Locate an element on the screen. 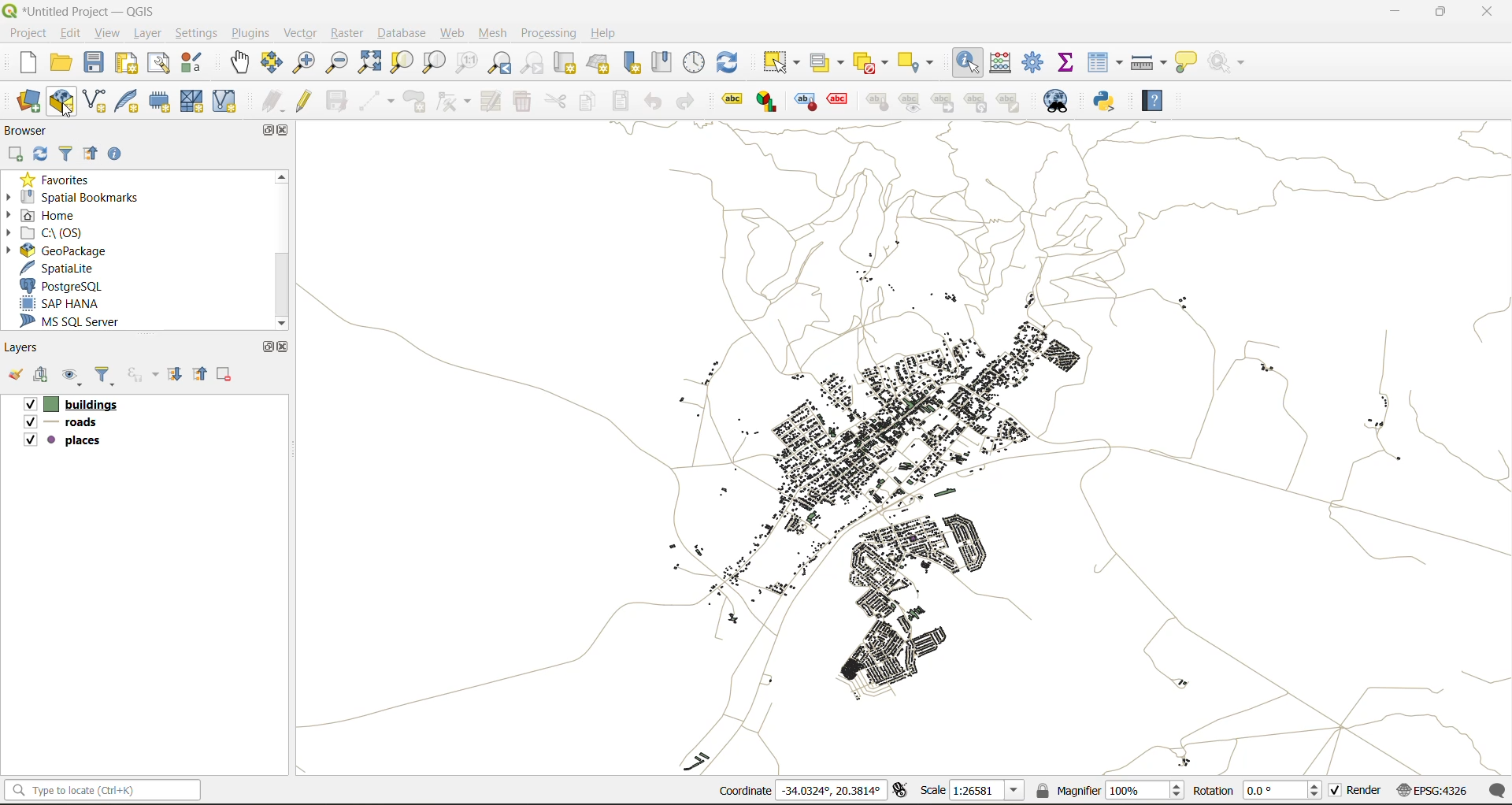  linked label is located at coordinates (947, 102).